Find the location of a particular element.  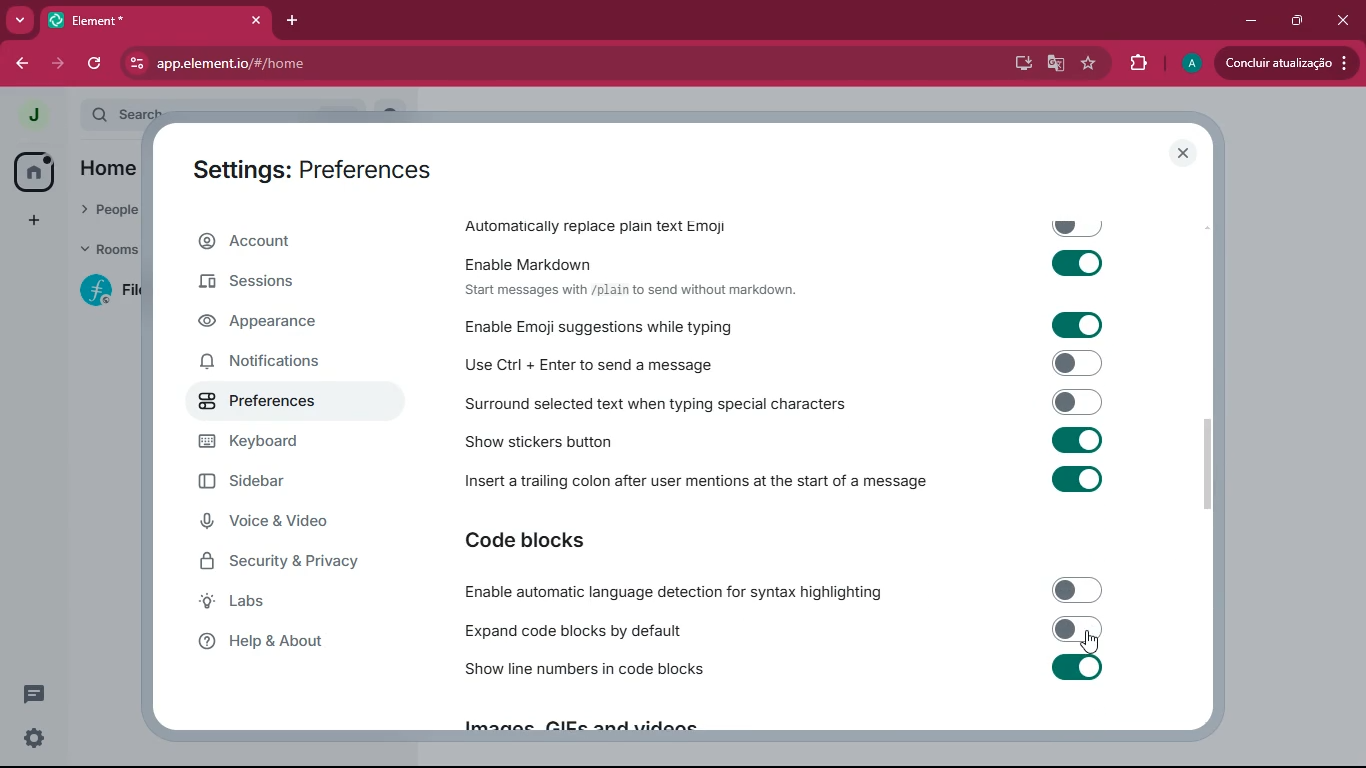

Expand code blocks by default is located at coordinates (783, 630).